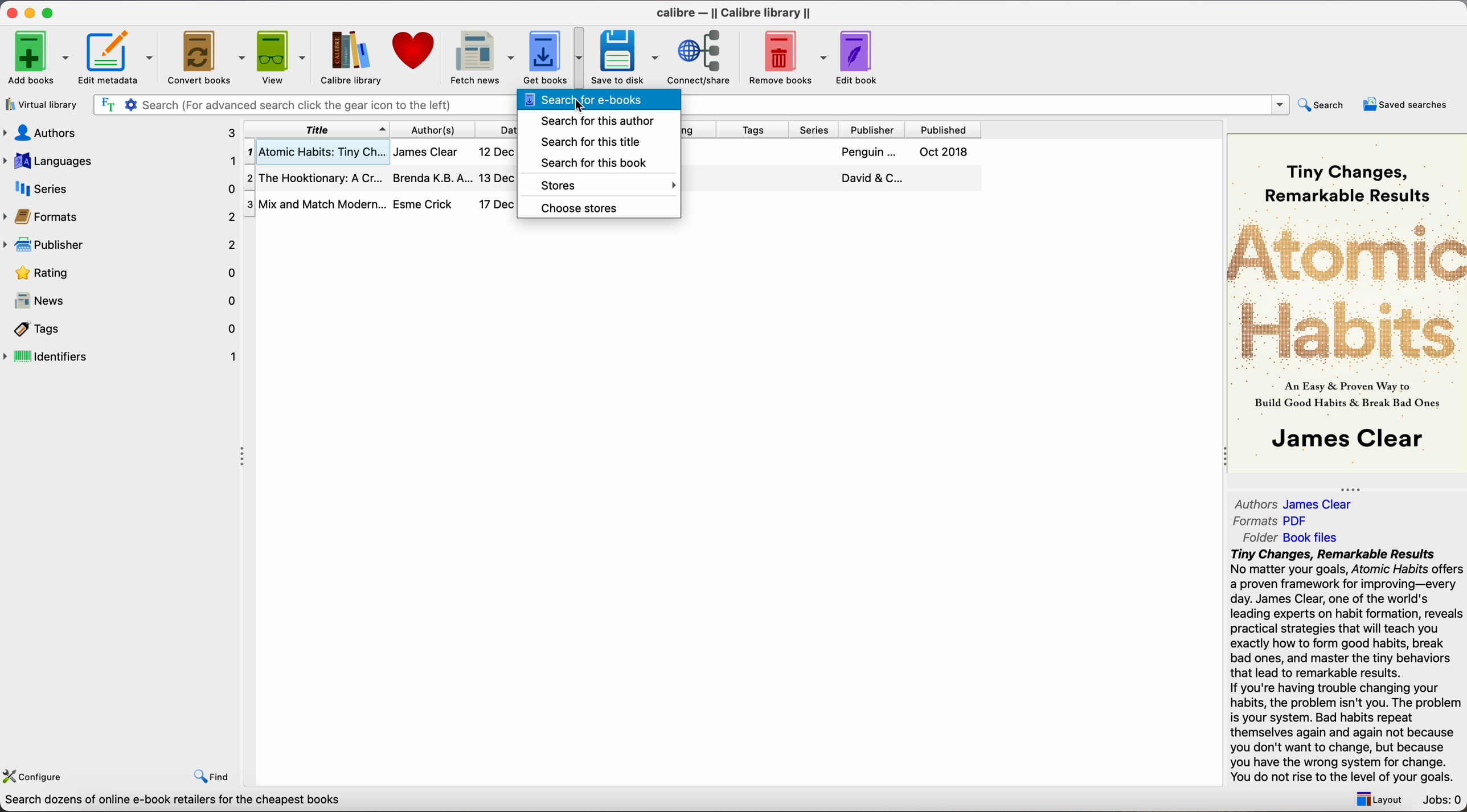 Image resolution: width=1467 pixels, height=812 pixels. What do you see at coordinates (121, 188) in the screenshot?
I see `series` at bounding box center [121, 188].